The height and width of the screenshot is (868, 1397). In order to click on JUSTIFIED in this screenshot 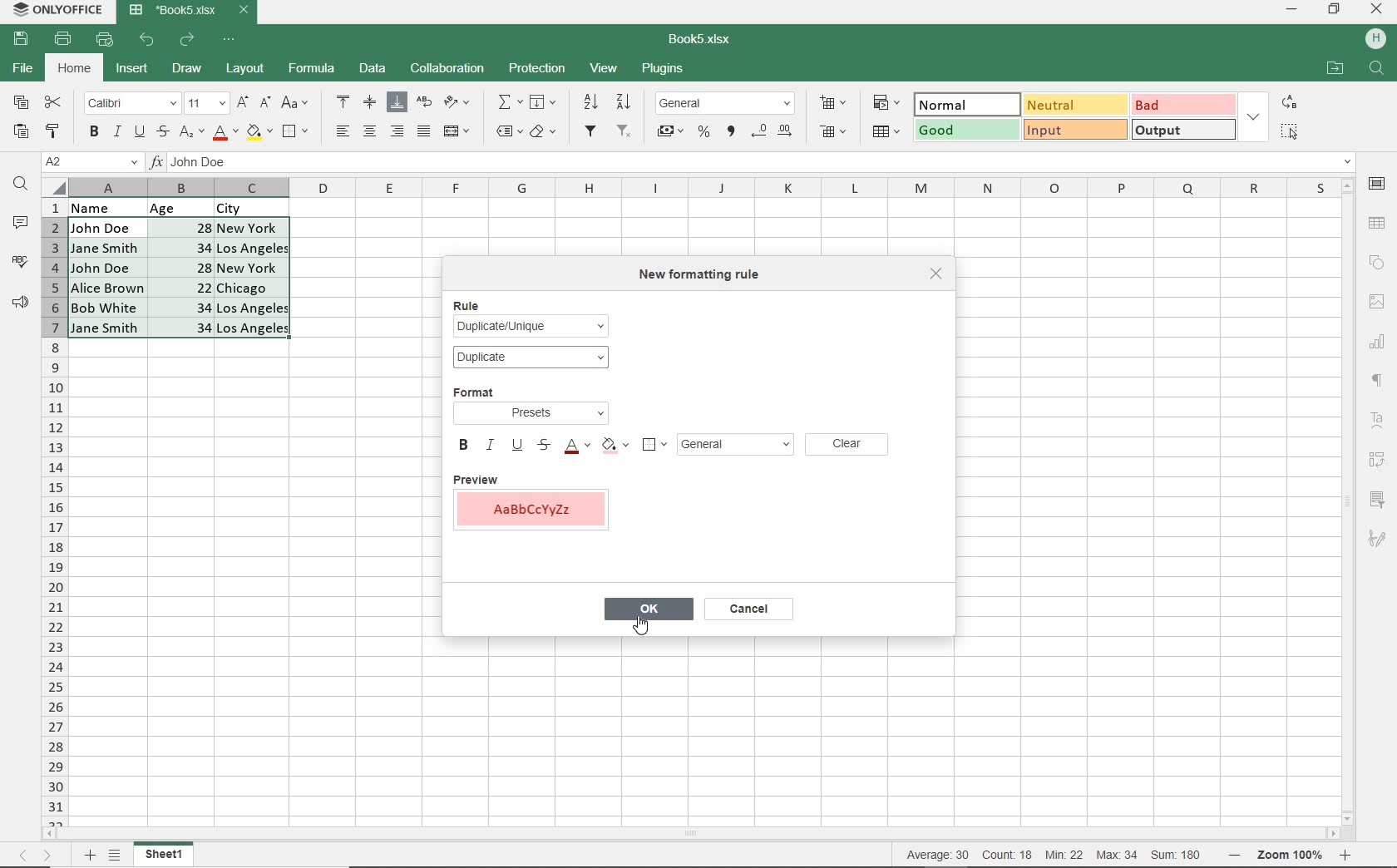, I will do `click(423, 131)`.